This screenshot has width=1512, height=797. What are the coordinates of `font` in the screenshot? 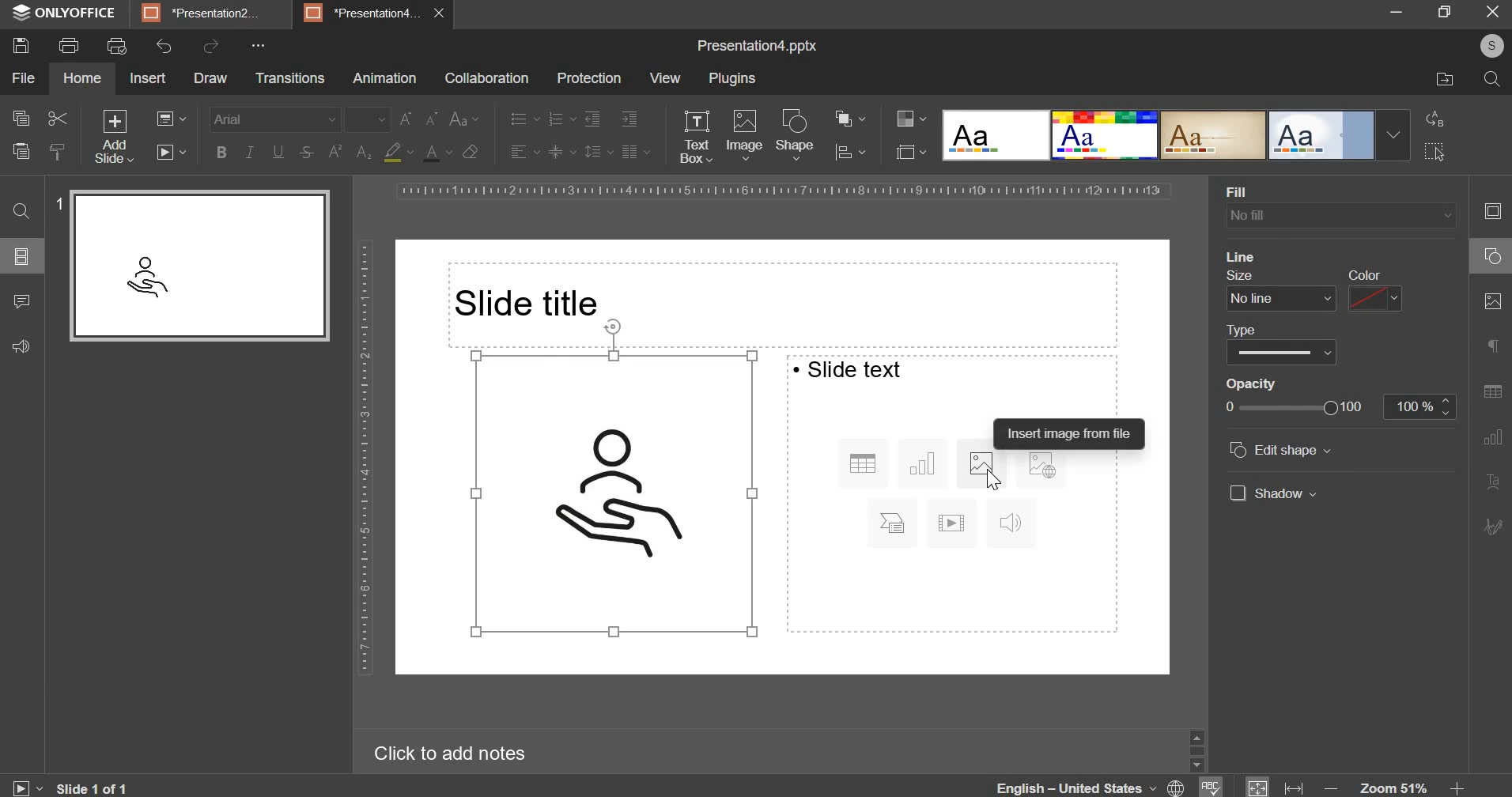 It's located at (275, 116).